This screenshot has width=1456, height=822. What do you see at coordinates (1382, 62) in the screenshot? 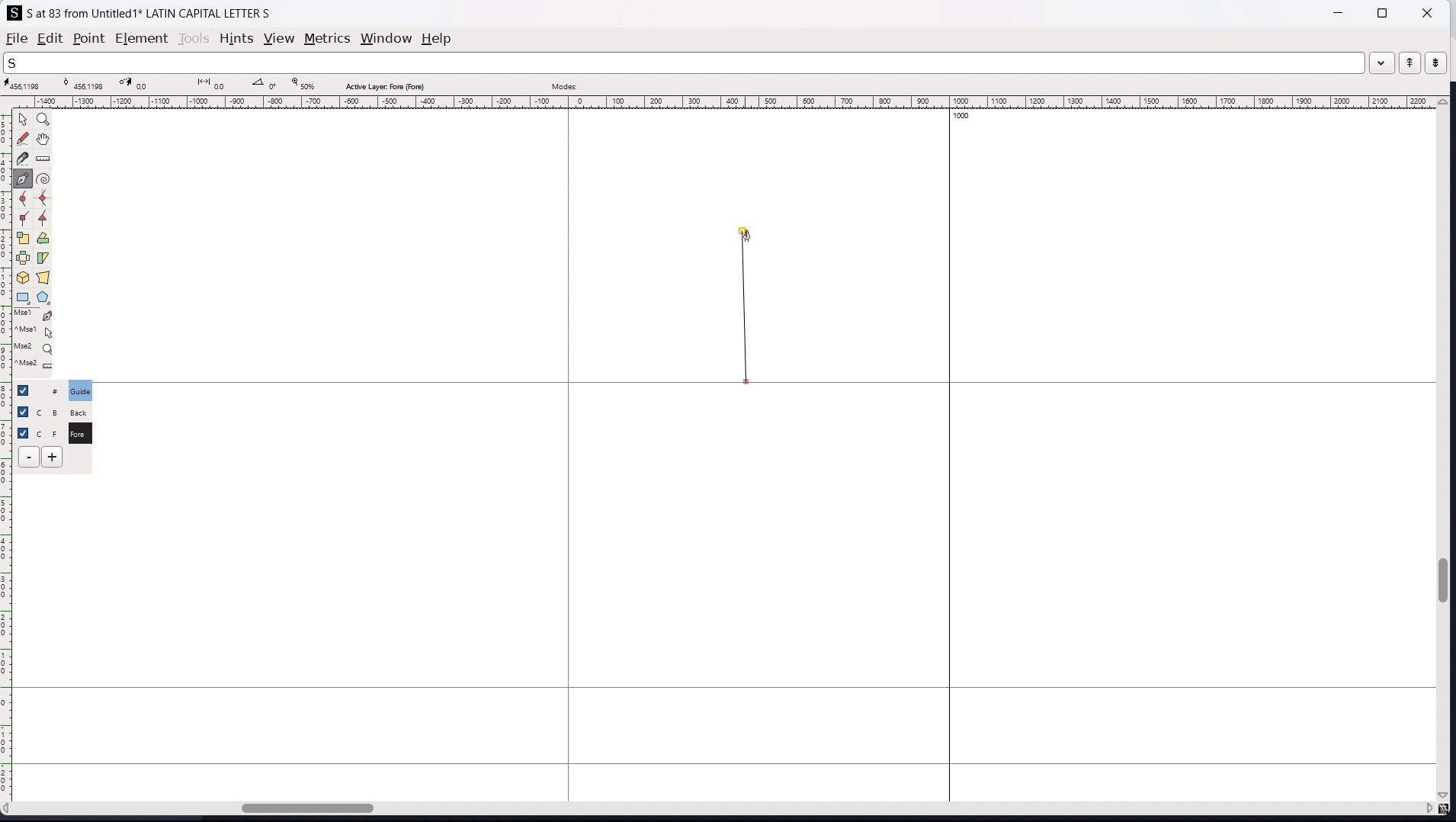
I see `dropdown` at bounding box center [1382, 62].